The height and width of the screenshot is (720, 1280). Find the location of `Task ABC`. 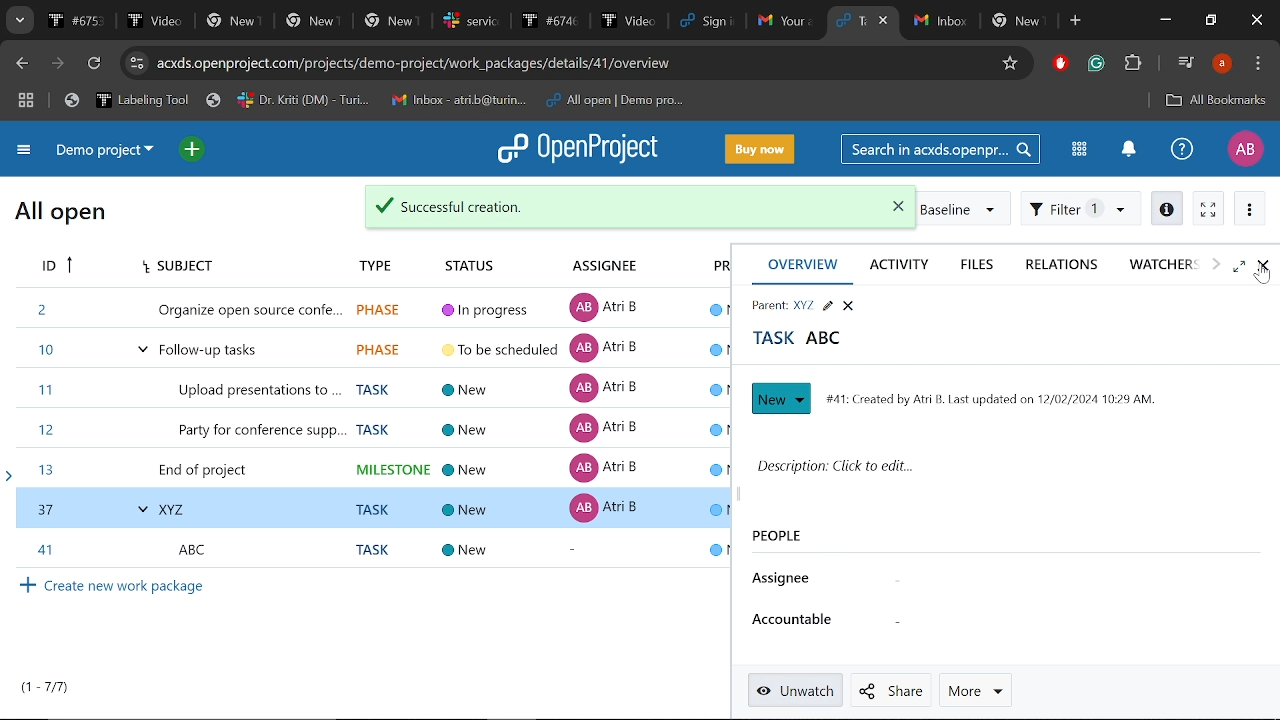

Task ABC is located at coordinates (805, 341).